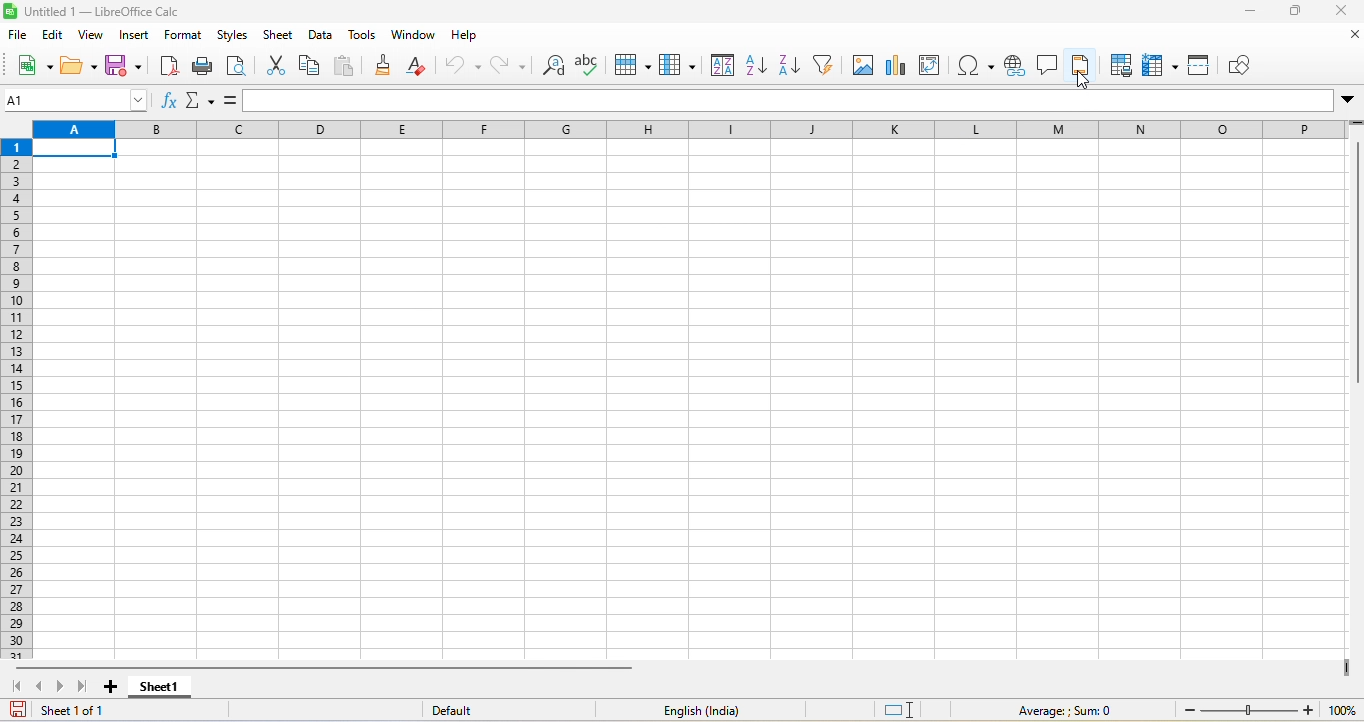  What do you see at coordinates (791, 66) in the screenshot?
I see `sort descending` at bounding box center [791, 66].